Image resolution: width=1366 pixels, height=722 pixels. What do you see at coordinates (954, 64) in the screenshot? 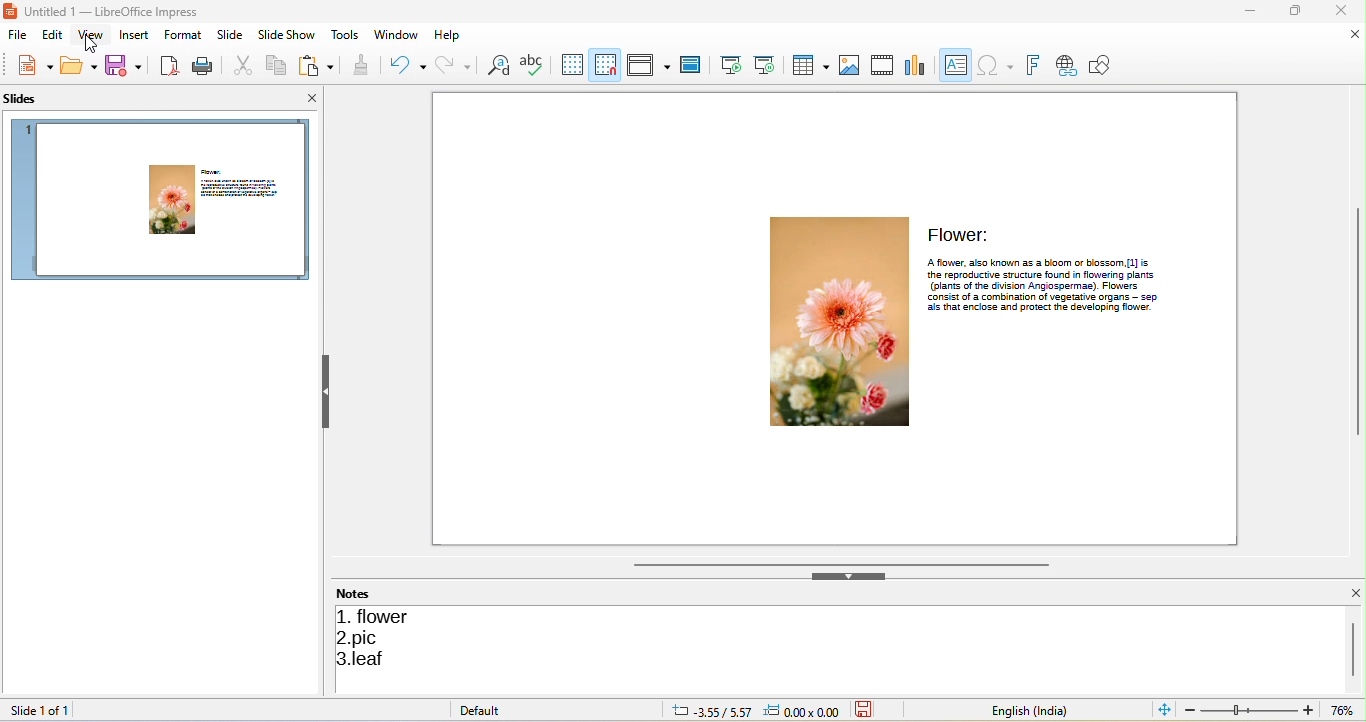
I see `text box` at bounding box center [954, 64].